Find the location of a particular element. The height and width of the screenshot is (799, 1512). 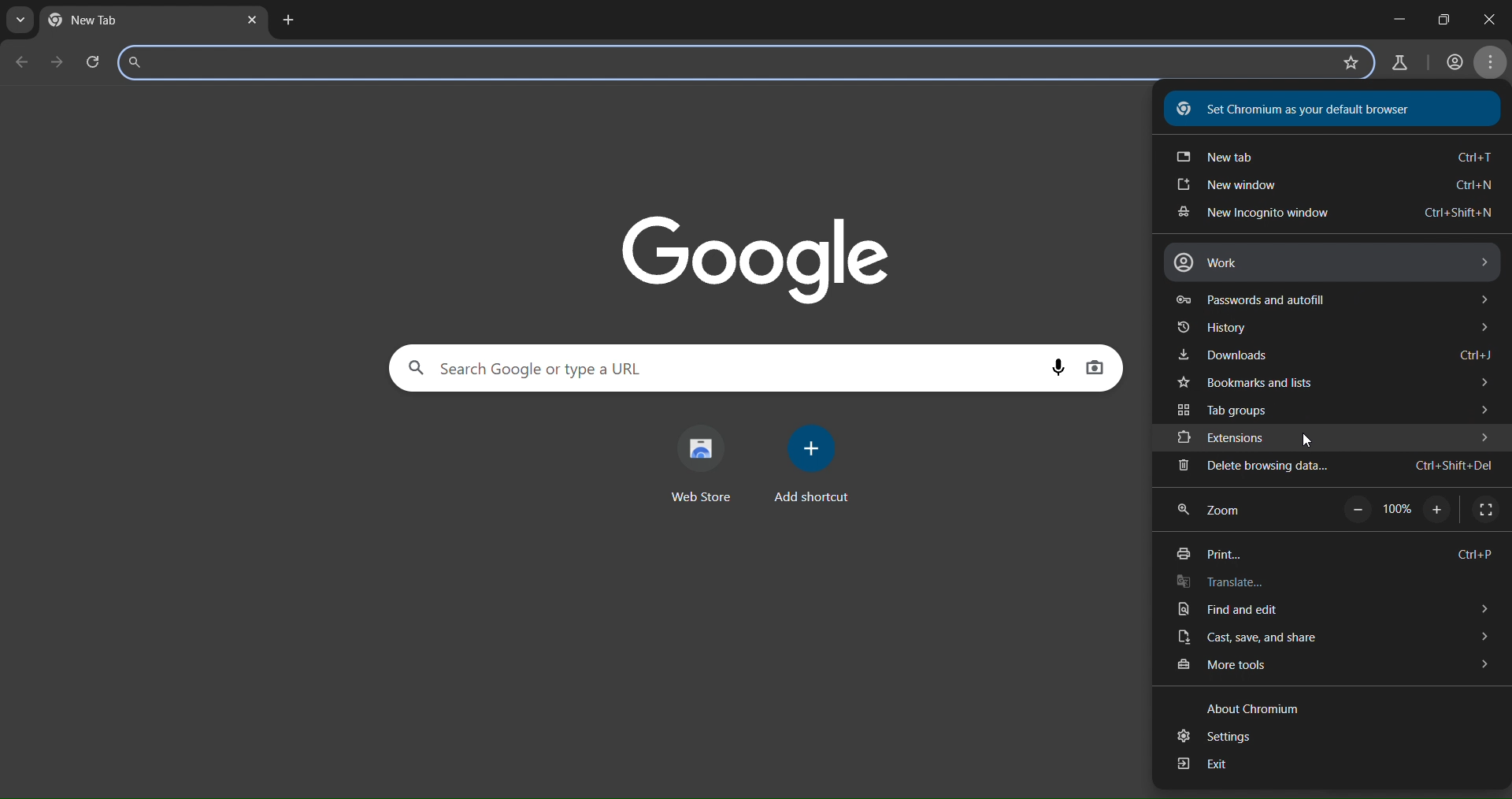

extensions is located at coordinates (1332, 439).